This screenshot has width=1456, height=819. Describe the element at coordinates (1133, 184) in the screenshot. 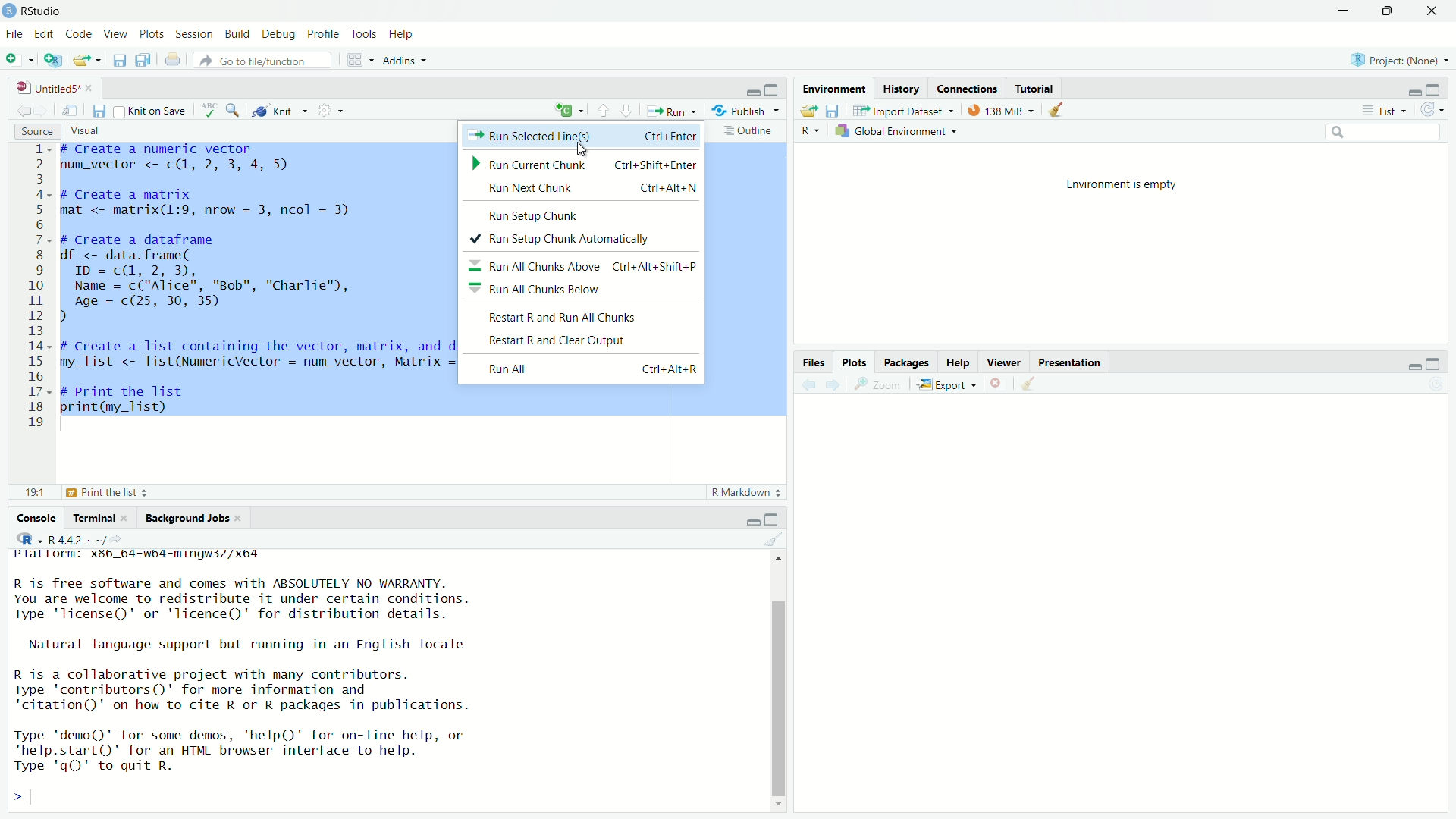

I see `Environment is empty` at that location.